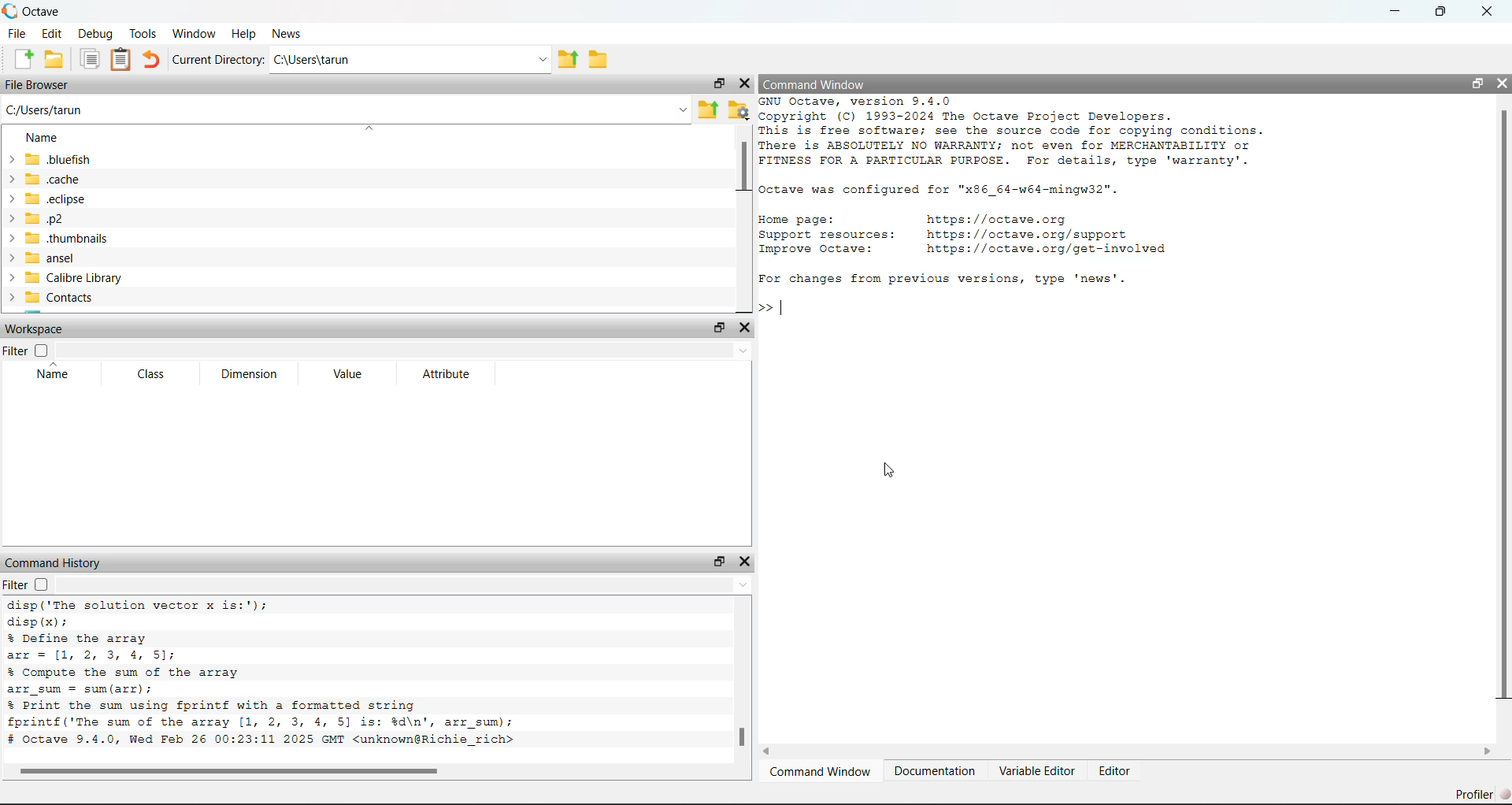 The width and height of the screenshot is (1512, 805). I want to click on Paste, so click(121, 60).